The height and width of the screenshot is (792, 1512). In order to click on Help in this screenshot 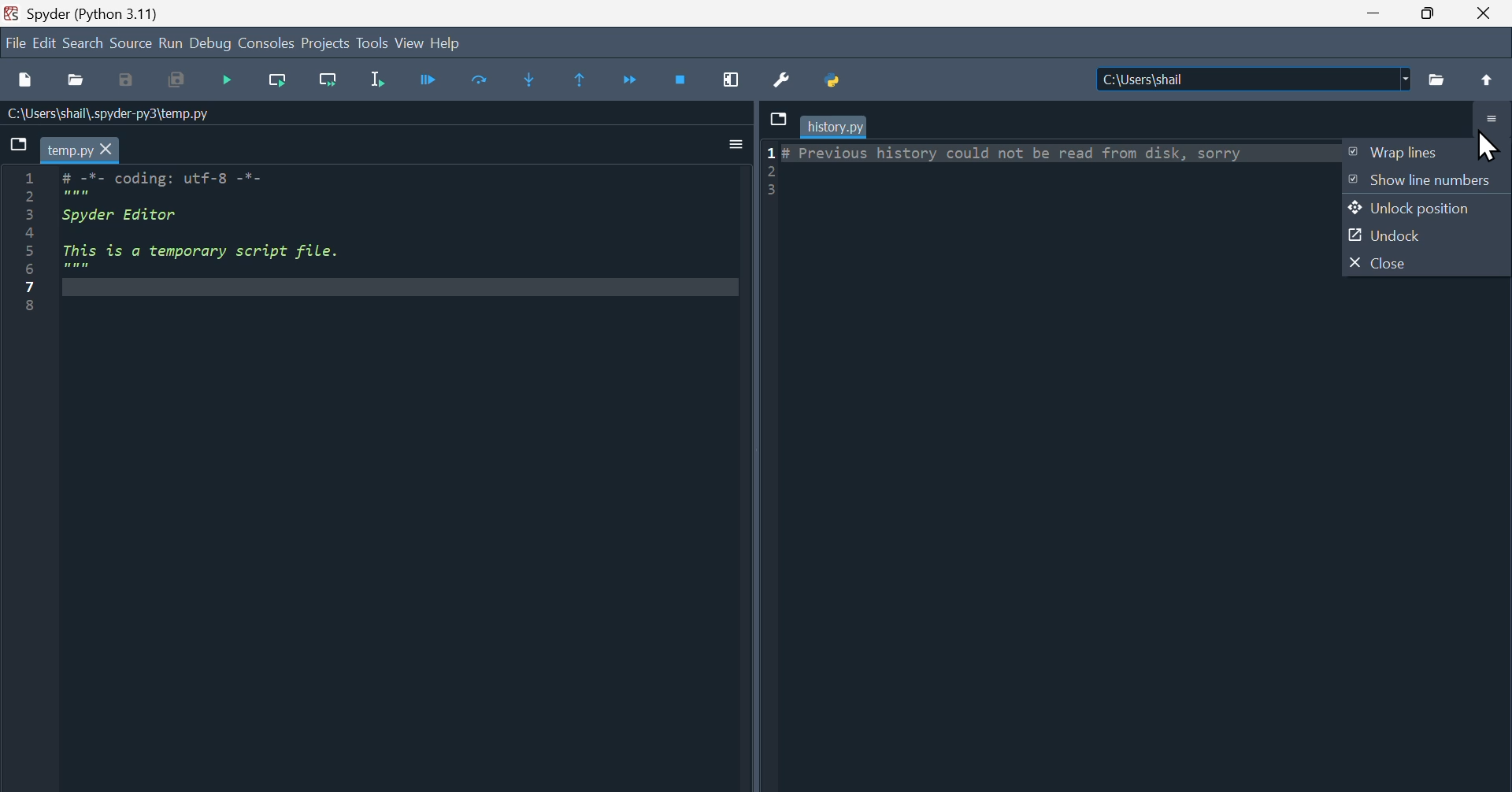, I will do `click(445, 43)`.